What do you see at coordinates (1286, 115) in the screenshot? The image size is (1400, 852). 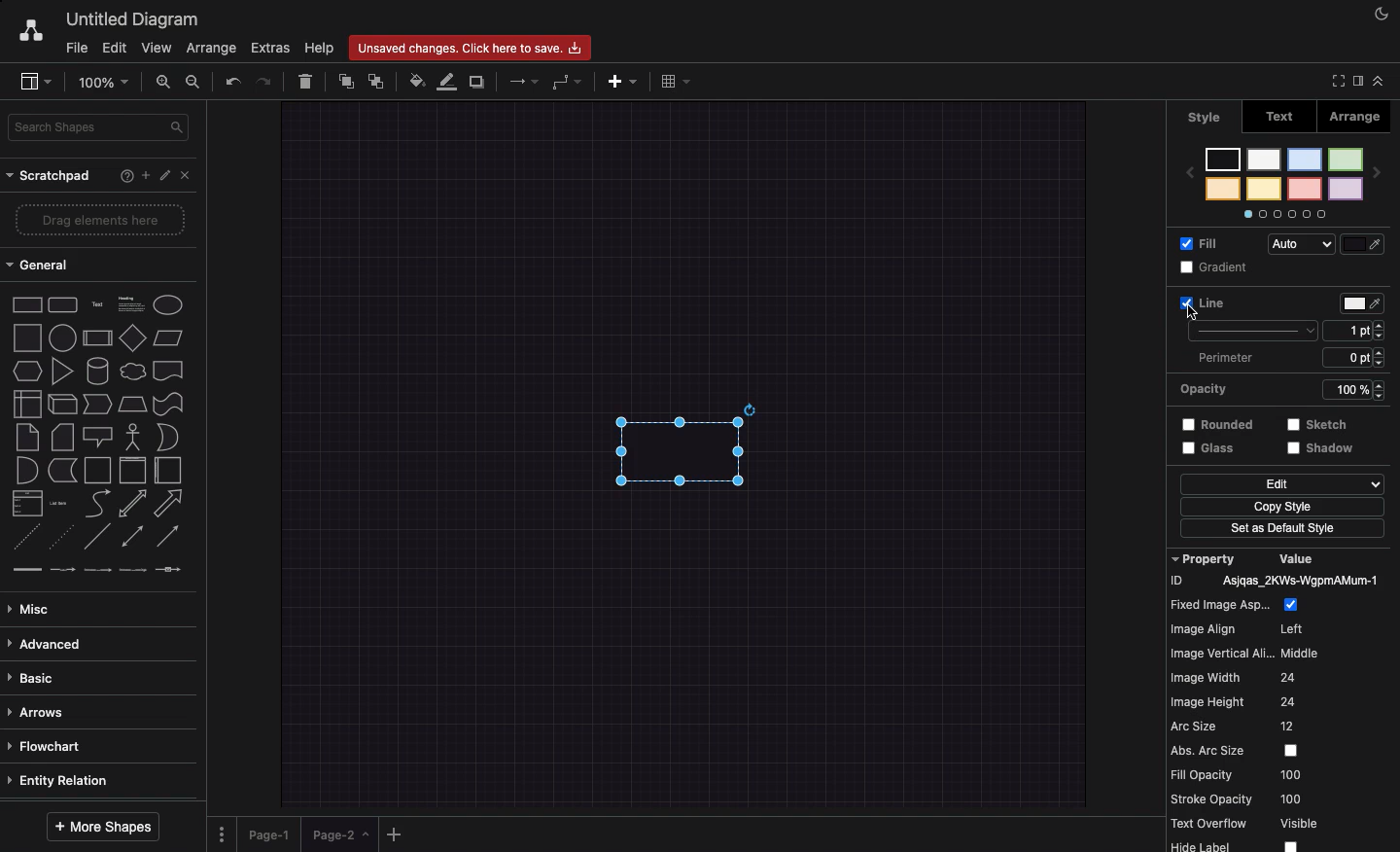 I see `Text` at bounding box center [1286, 115].